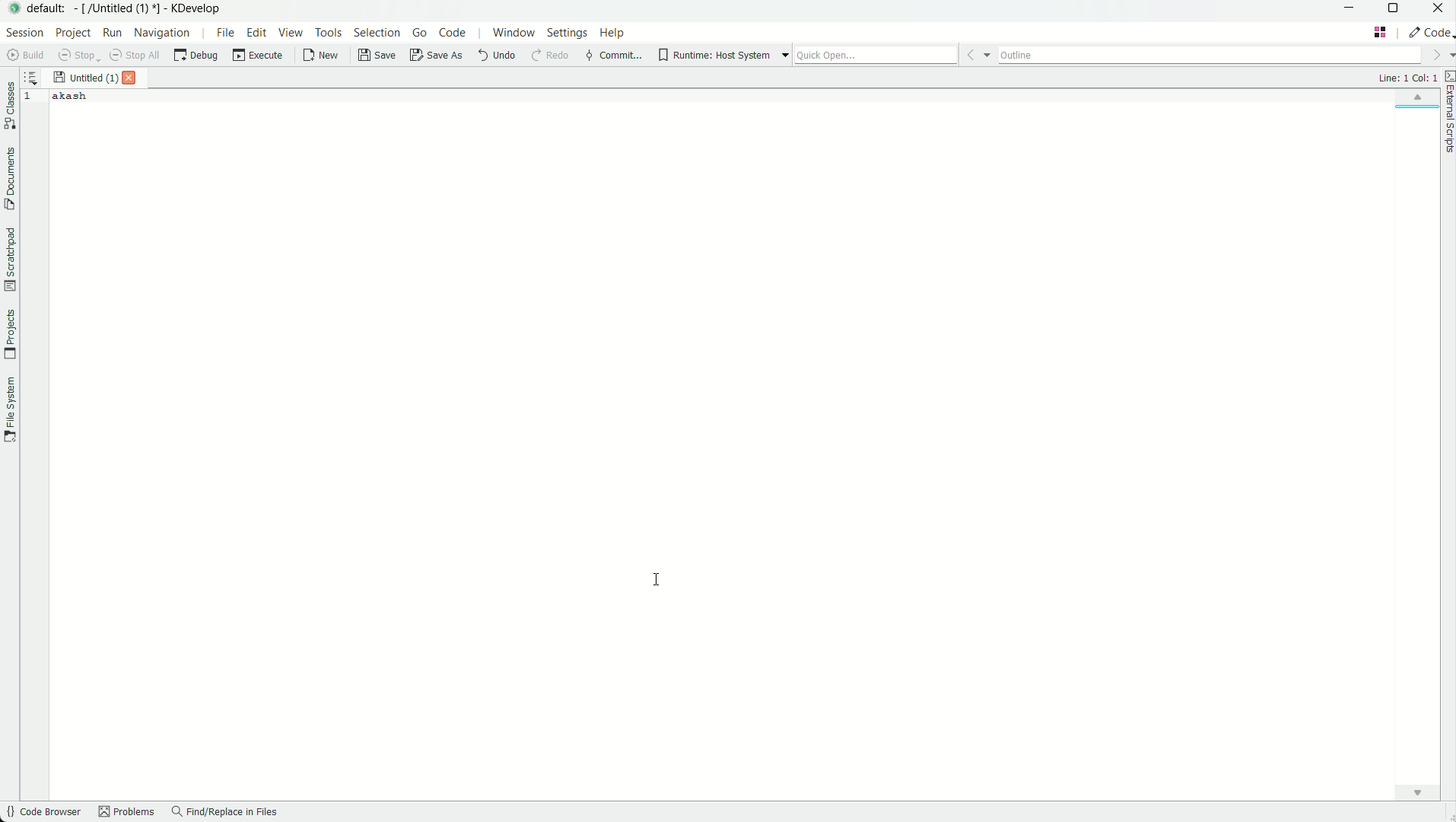 The image size is (1456, 822). I want to click on documents, so click(9, 179).